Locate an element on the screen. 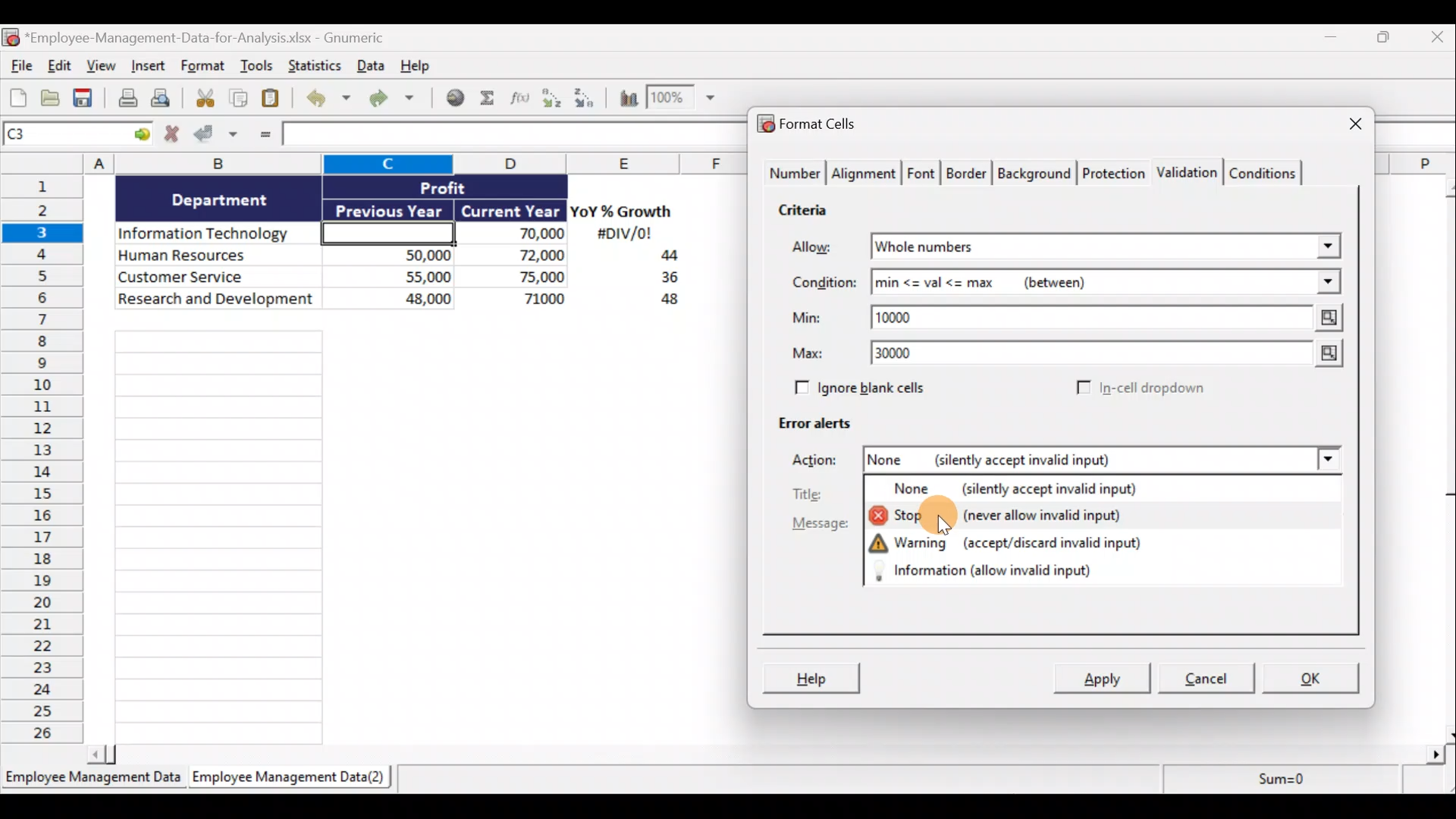  Edit a function in the current cell is located at coordinates (521, 97).